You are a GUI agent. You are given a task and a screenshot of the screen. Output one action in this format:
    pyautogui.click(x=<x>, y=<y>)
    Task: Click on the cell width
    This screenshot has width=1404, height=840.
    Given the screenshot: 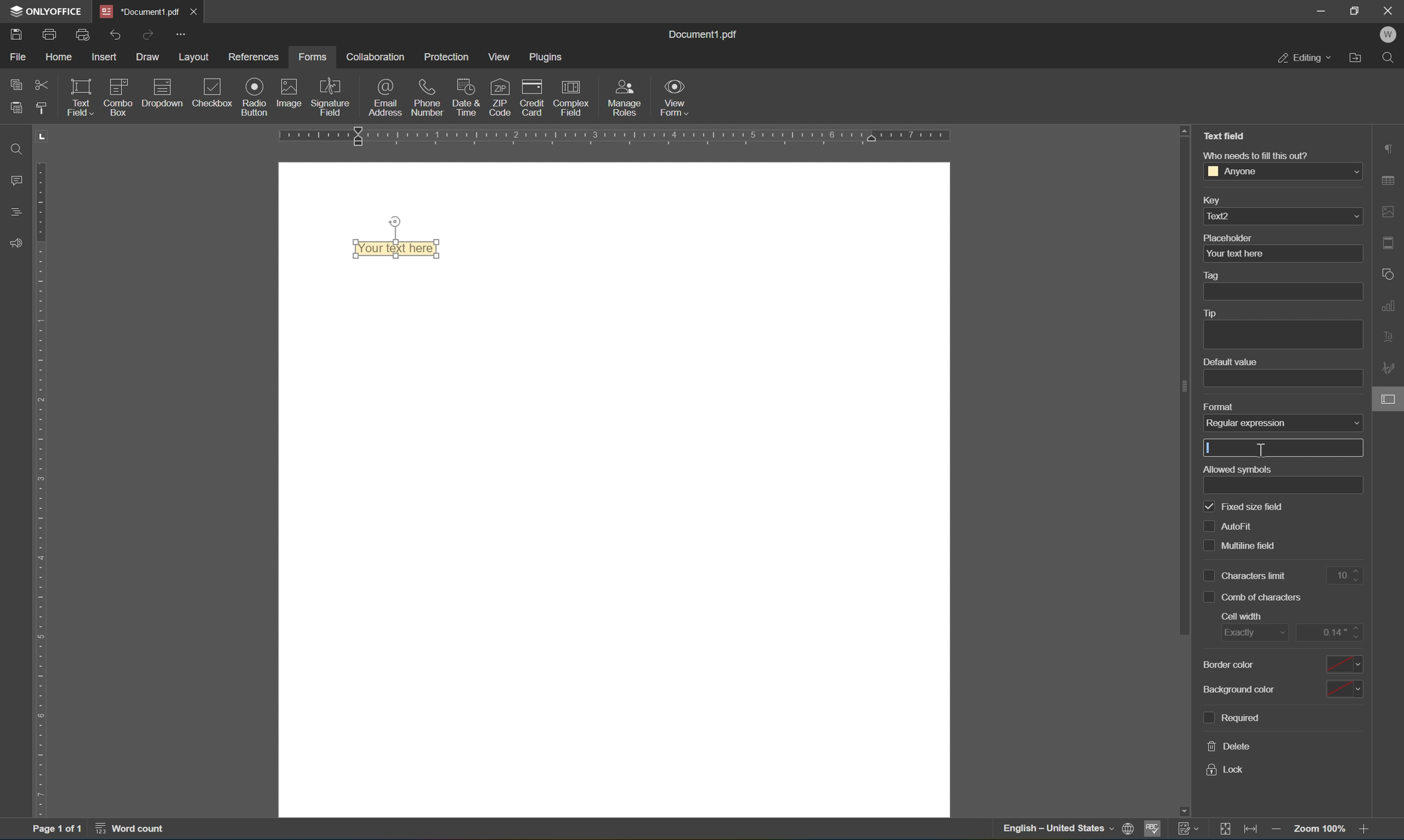 What is the action you would take?
    pyautogui.click(x=1242, y=616)
    